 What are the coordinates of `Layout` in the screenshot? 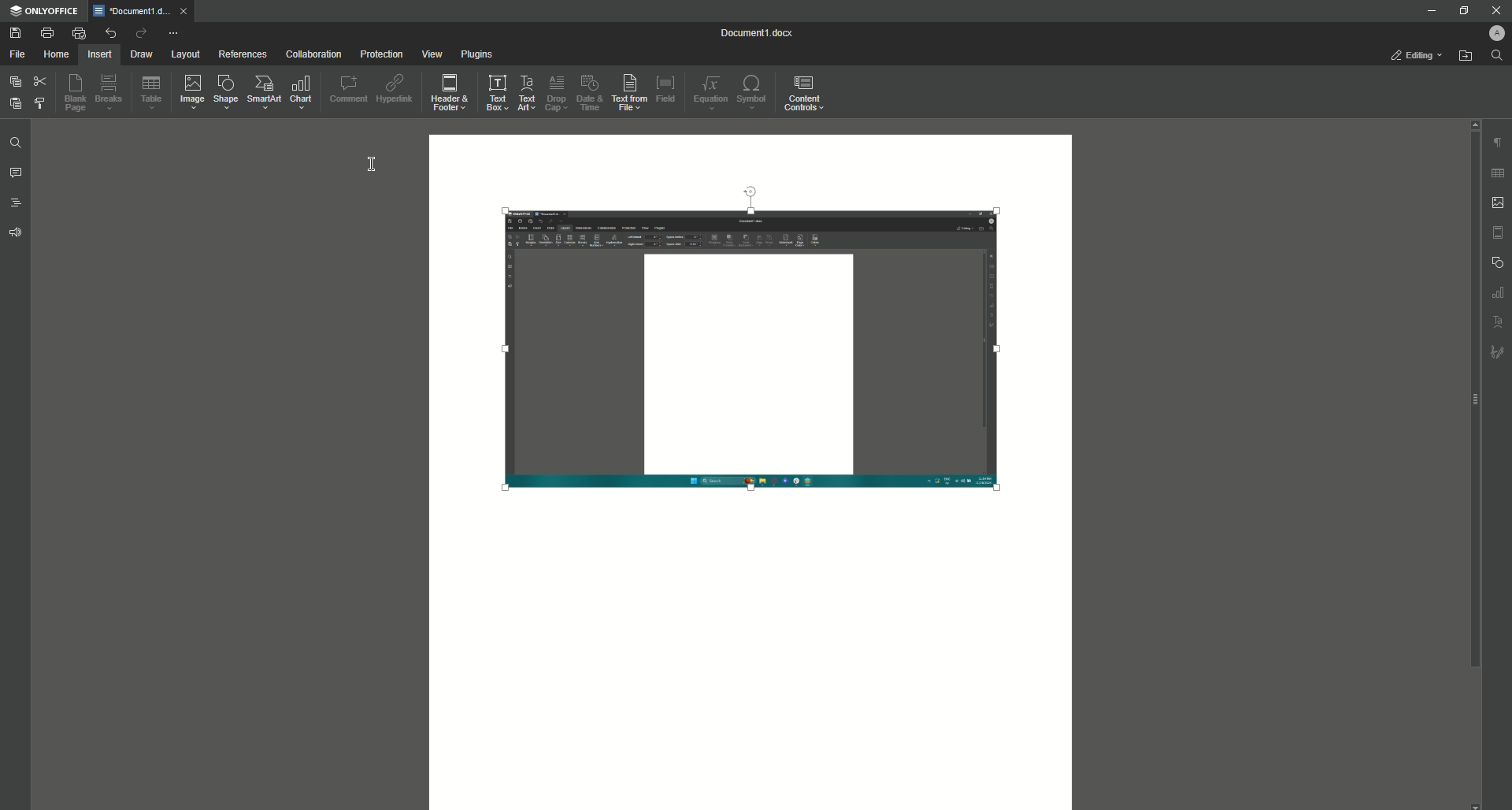 It's located at (186, 55).